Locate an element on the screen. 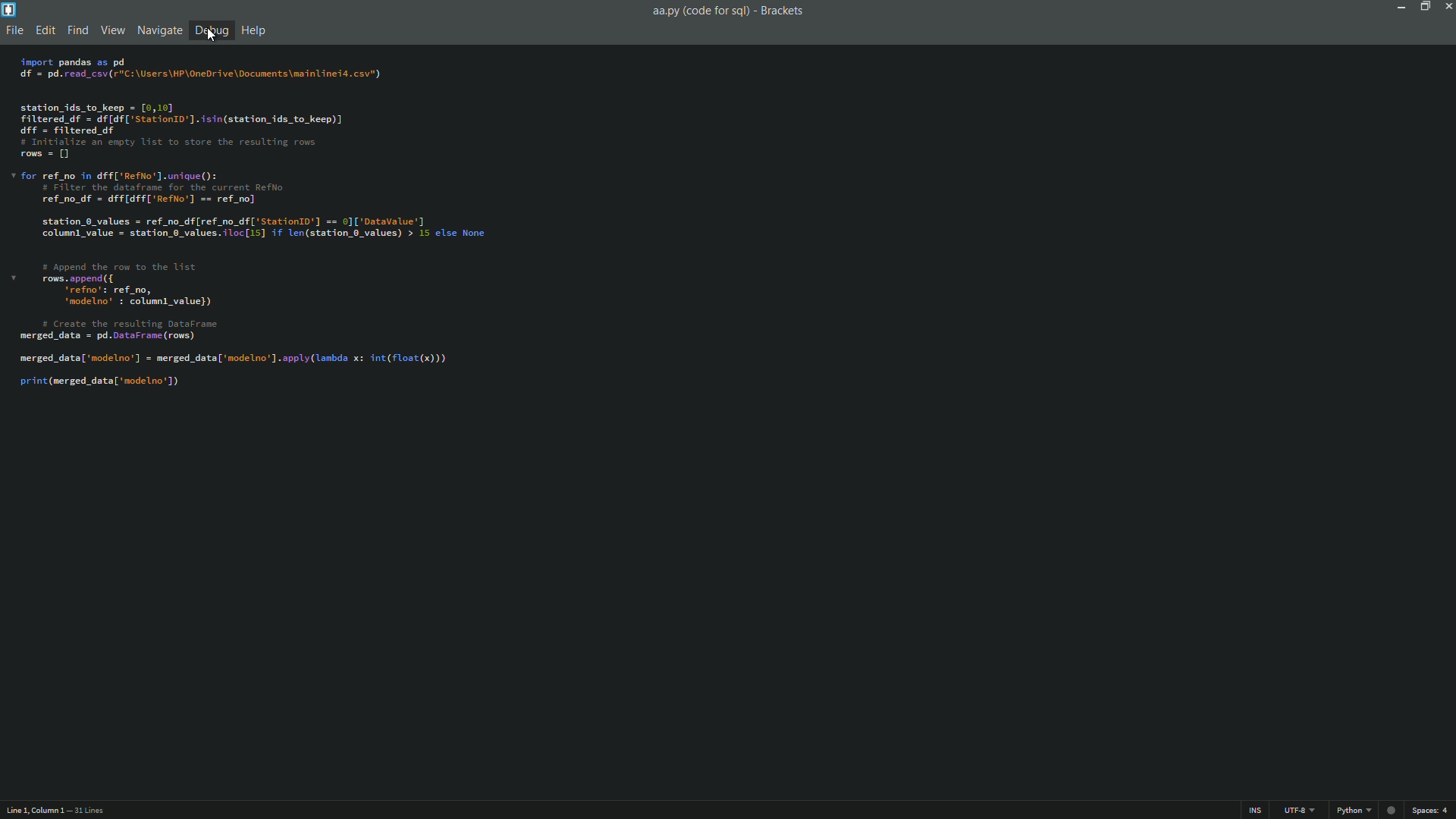  UTF-8 is located at coordinates (1301, 809).